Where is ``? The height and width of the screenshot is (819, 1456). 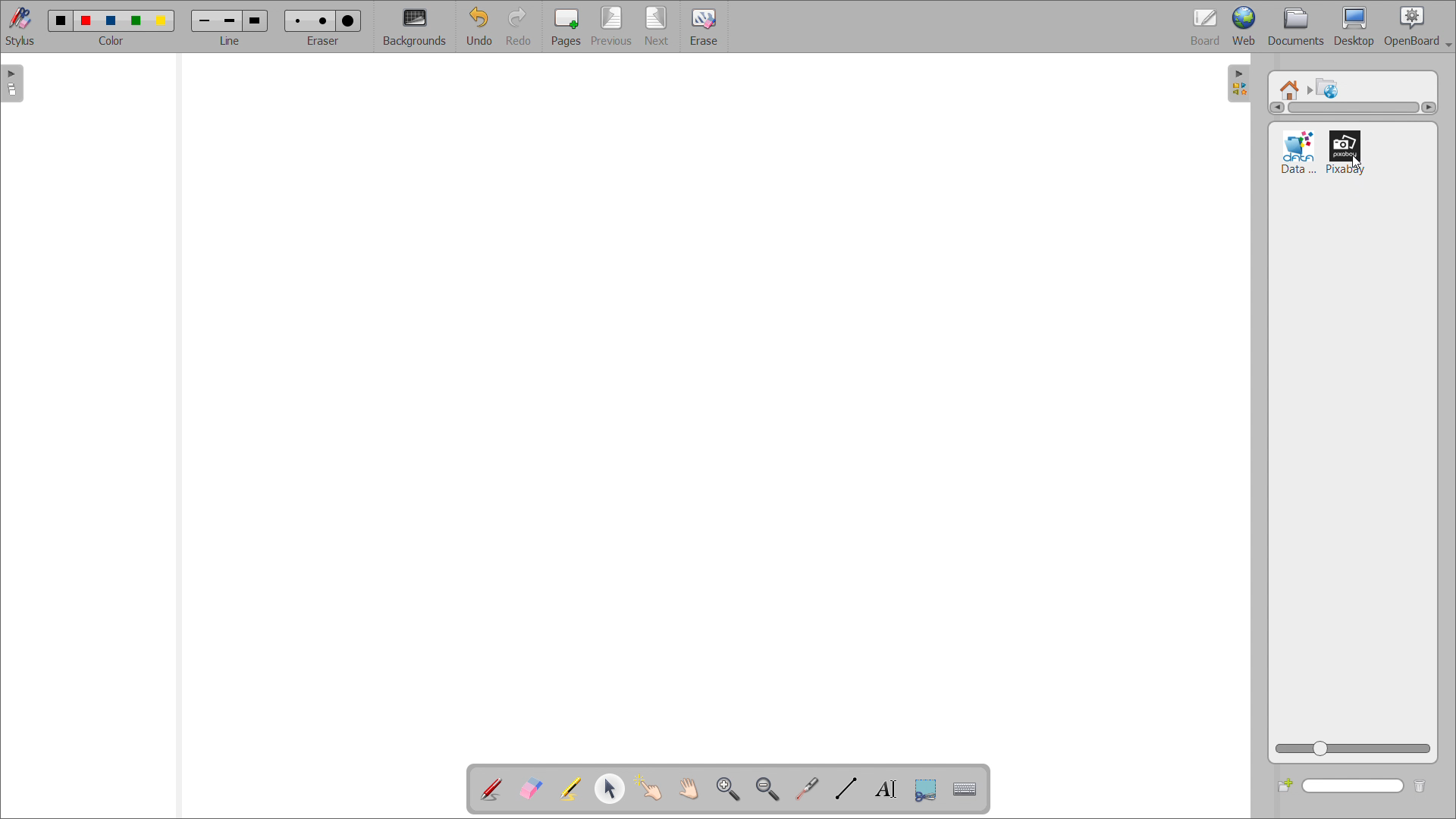  is located at coordinates (925, 790).